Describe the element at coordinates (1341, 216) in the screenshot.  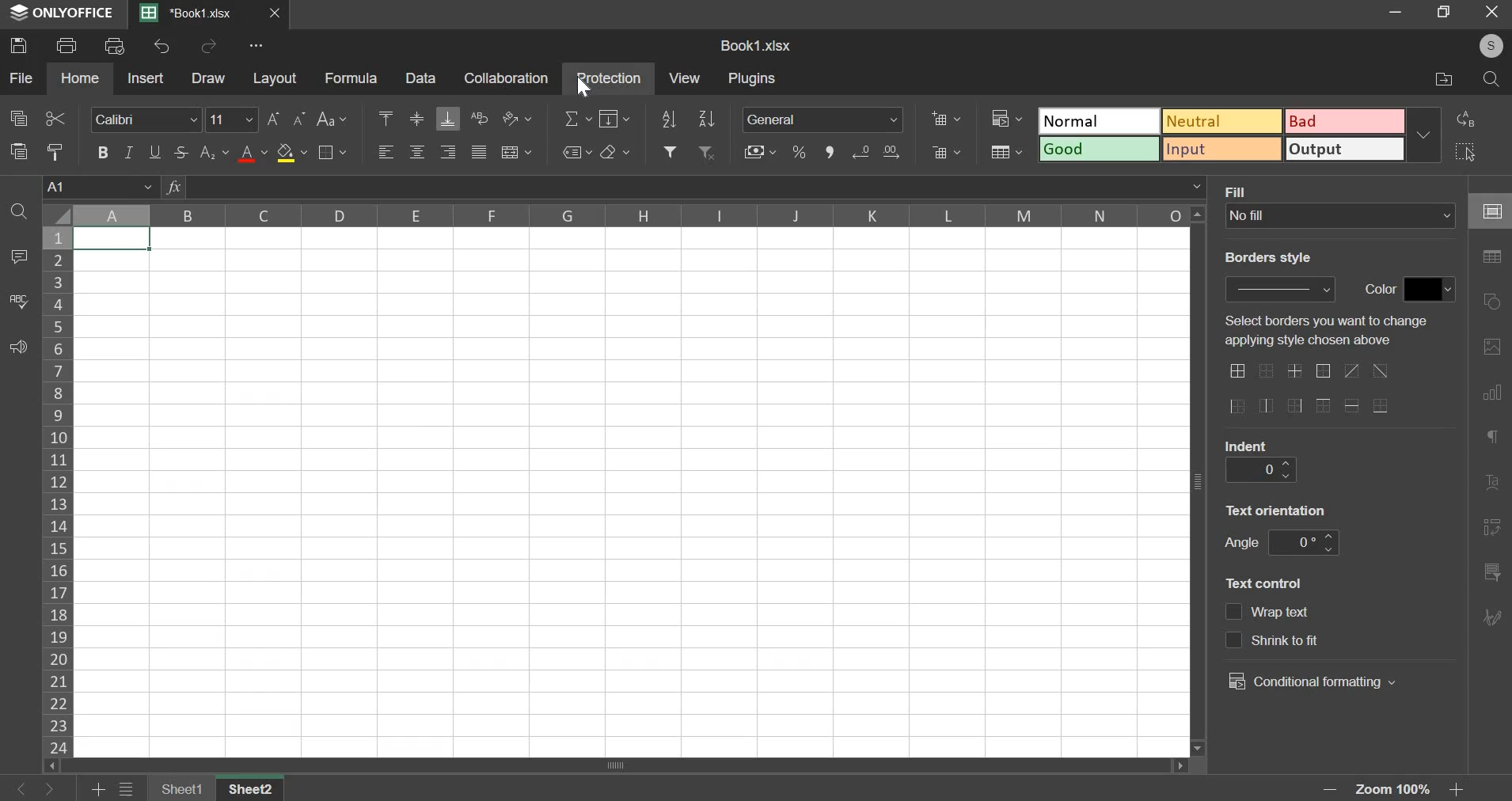
I see `fill type` at that location.